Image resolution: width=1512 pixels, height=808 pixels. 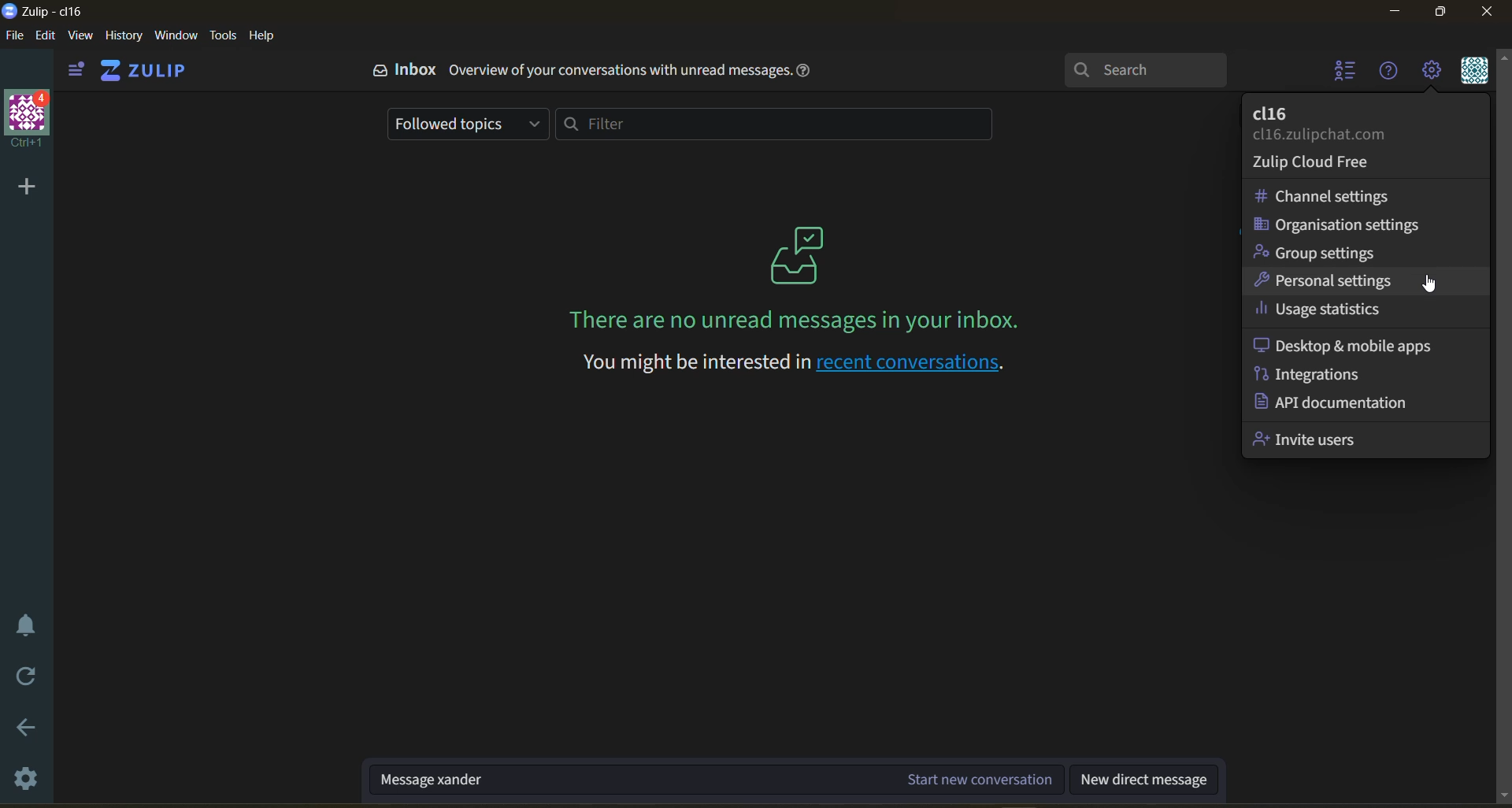 What do you see at coordinates (83, 37) in the screenshot?
I see `view` at bounding box center [83, 37].